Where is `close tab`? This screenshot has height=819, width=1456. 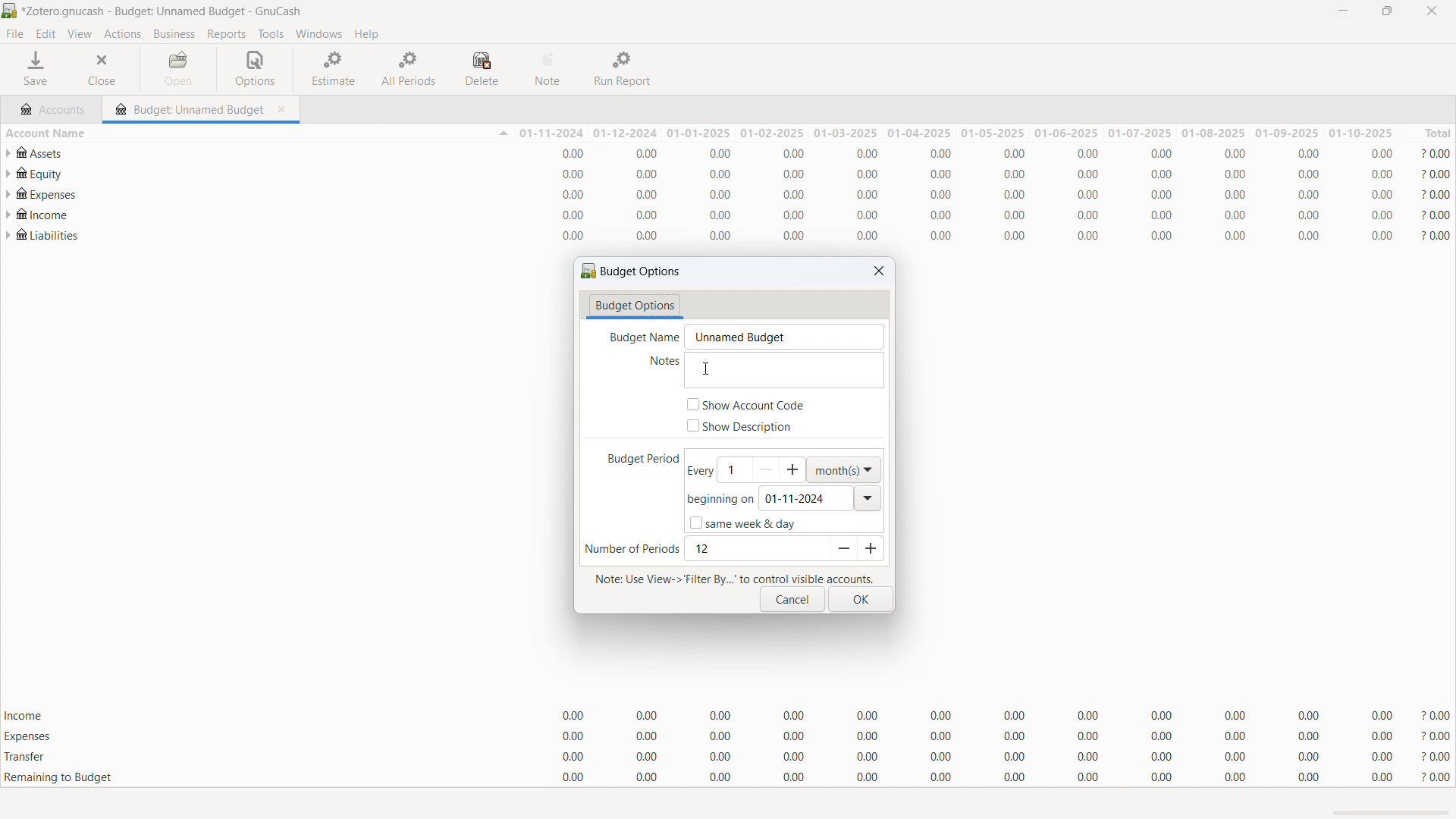 close tab is located at coordinates (285, 107).